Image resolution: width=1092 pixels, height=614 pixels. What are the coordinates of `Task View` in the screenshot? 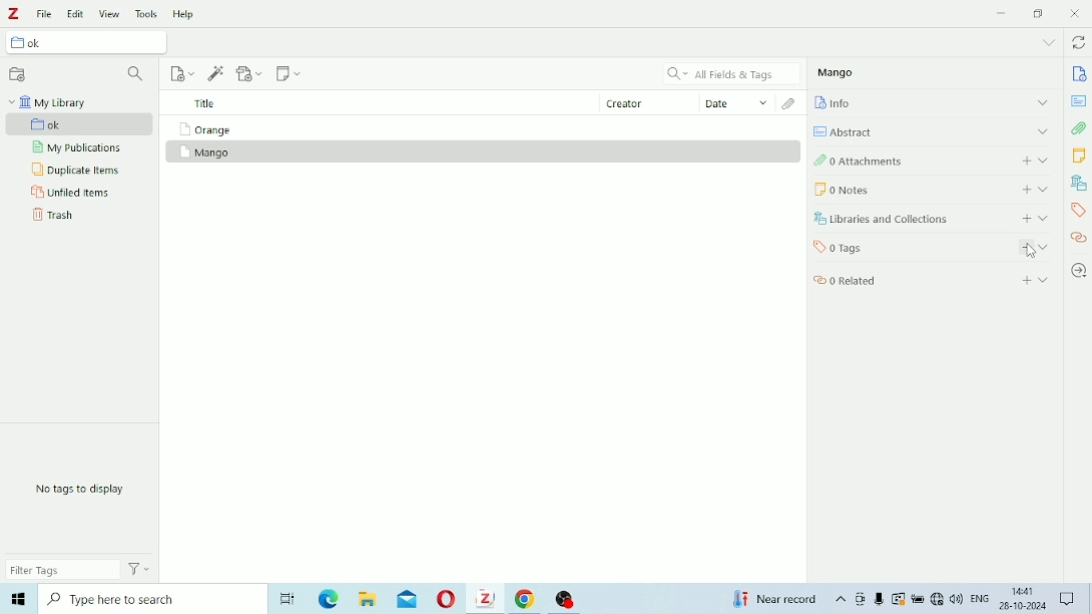 It's located at (290, 597).